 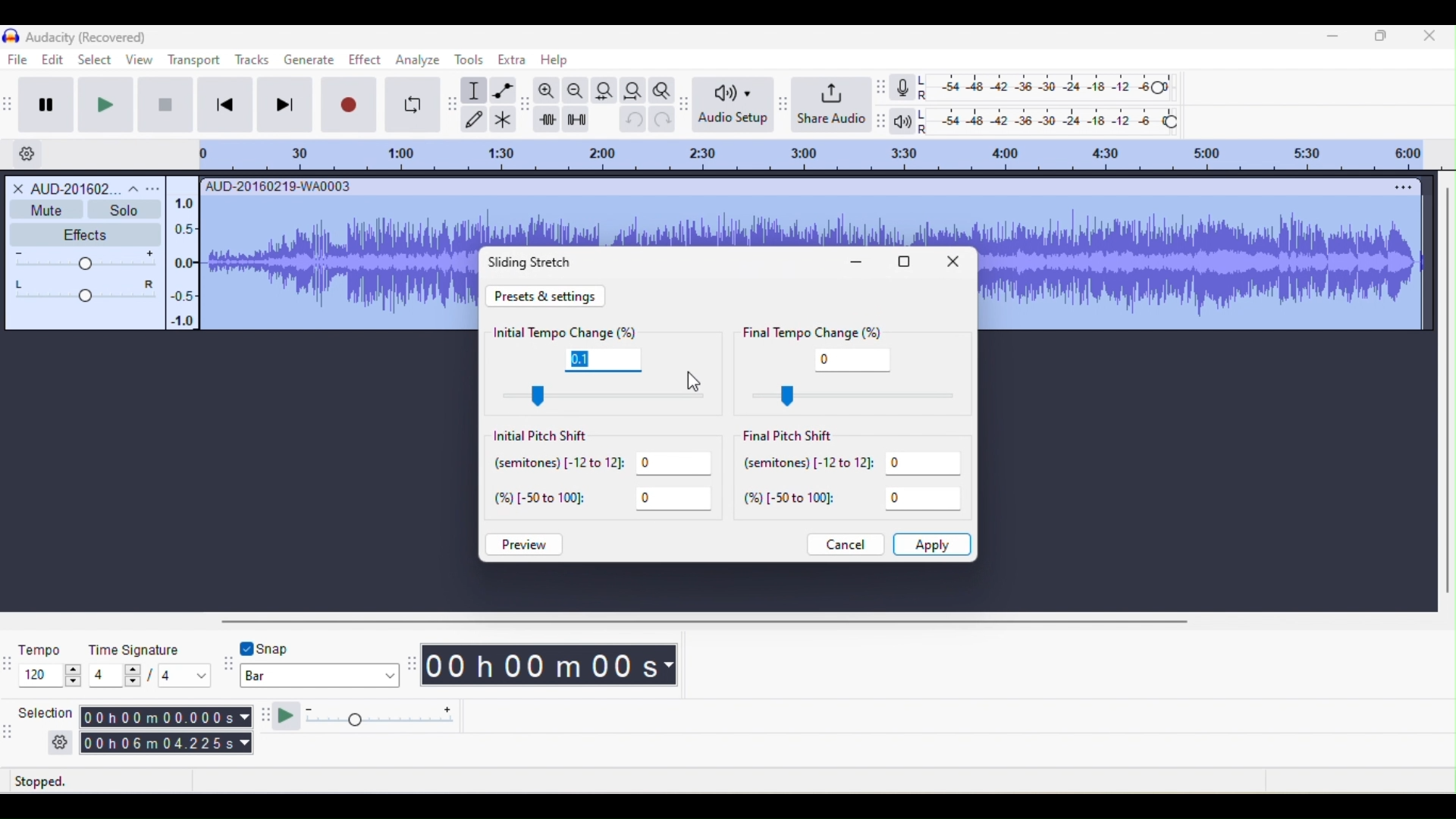 I want to click on selection tool, so click(x=475, y=91).